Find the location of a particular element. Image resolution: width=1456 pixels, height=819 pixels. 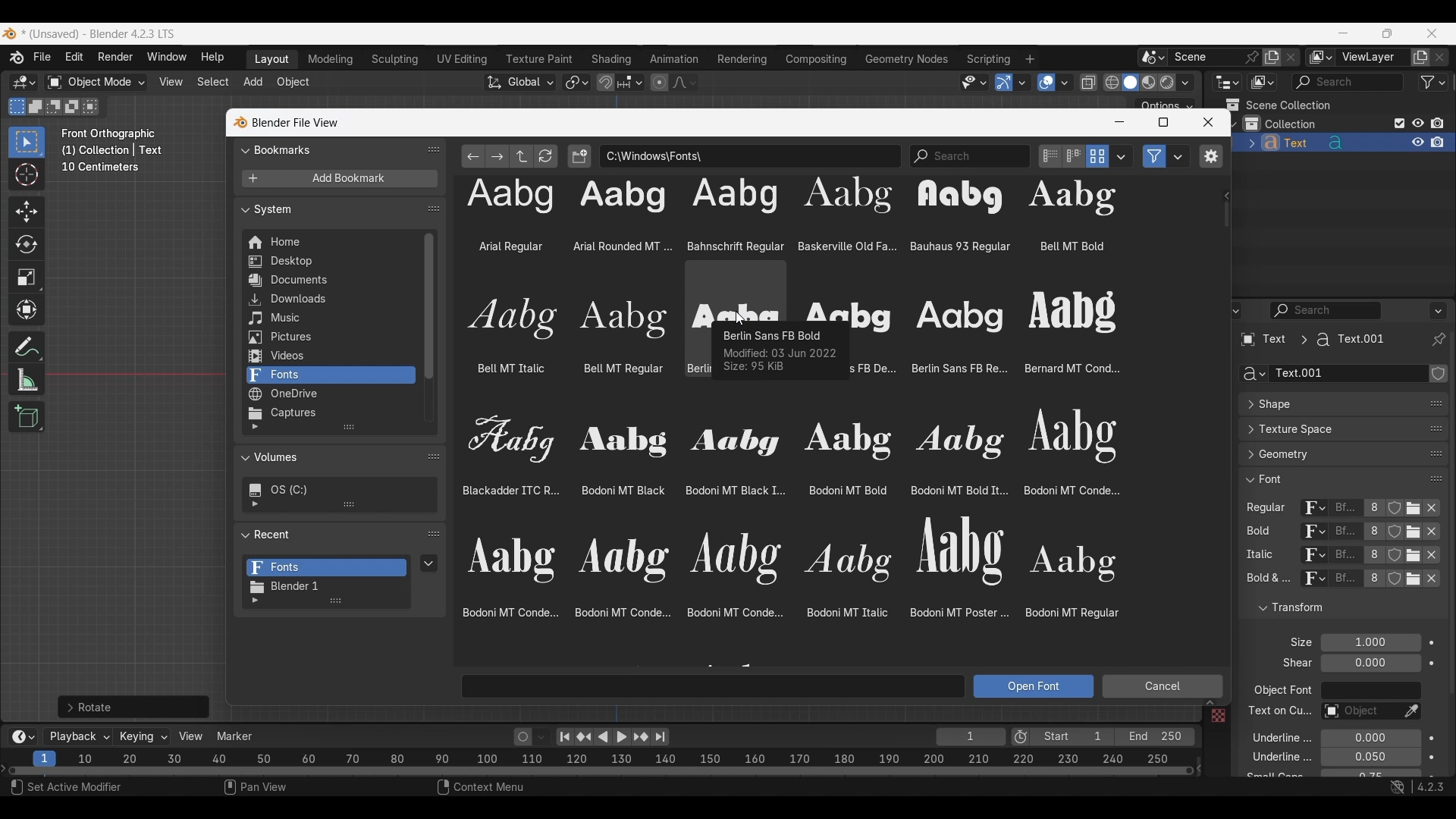

File menu is located at coordinates (43, 58).